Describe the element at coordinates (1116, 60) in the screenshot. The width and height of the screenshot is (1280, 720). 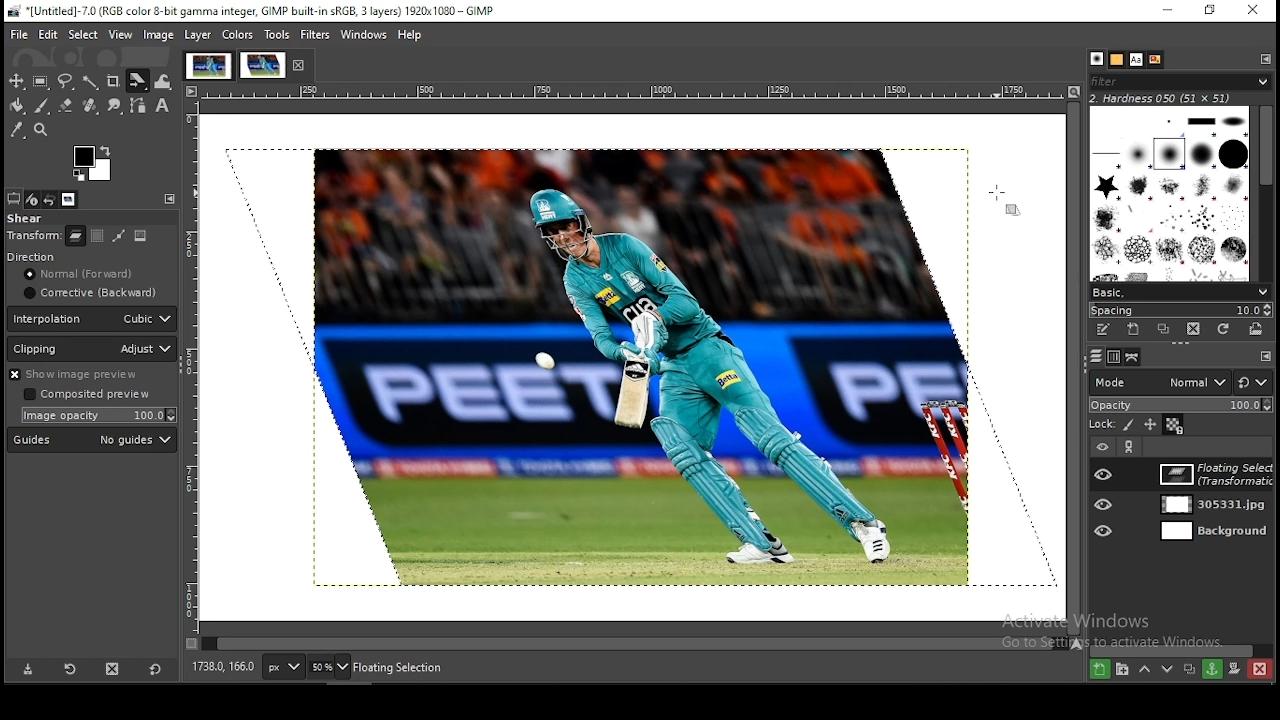
I see `brushes` at that location.